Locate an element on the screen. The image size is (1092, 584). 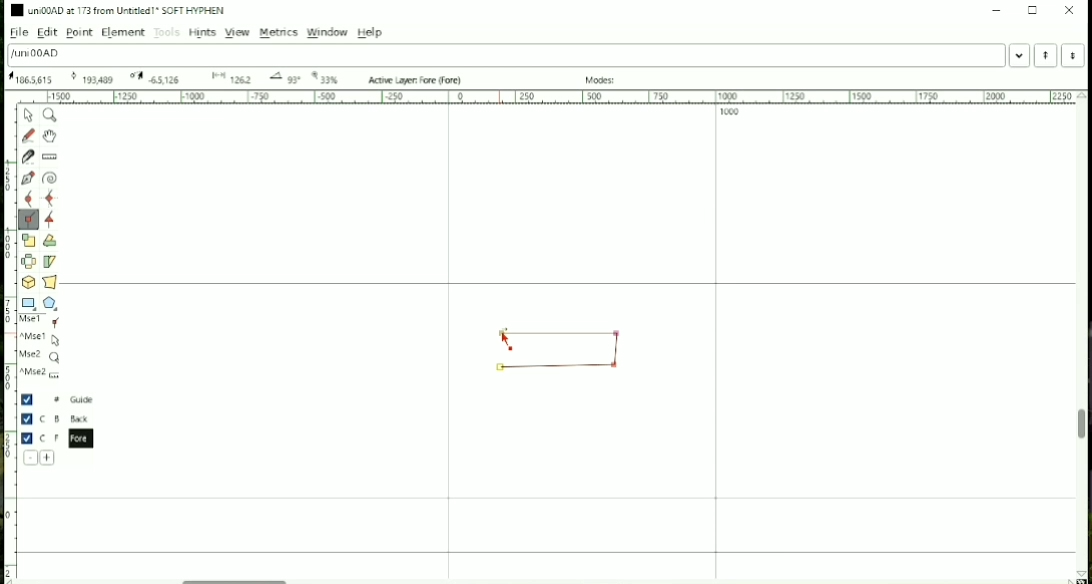
Active Layer is located at coordinates (417, 80).